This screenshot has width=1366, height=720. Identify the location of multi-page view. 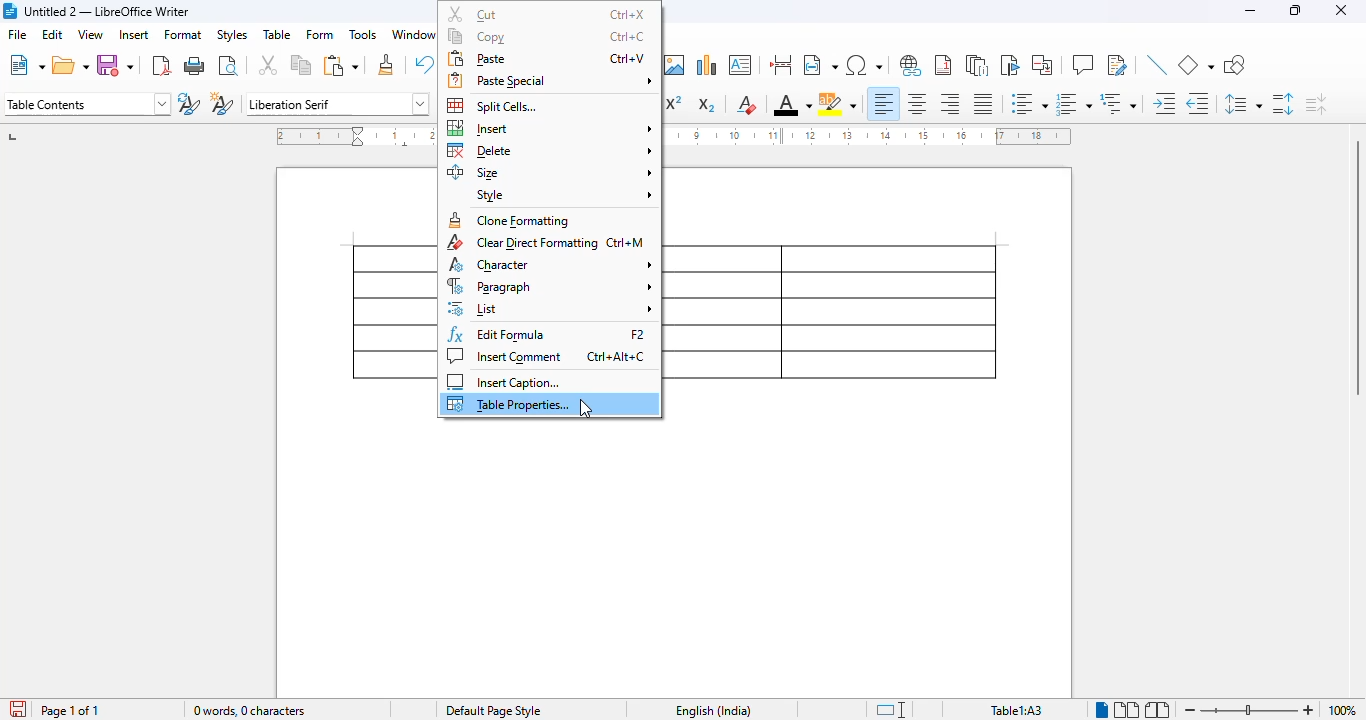
(1127, 709).